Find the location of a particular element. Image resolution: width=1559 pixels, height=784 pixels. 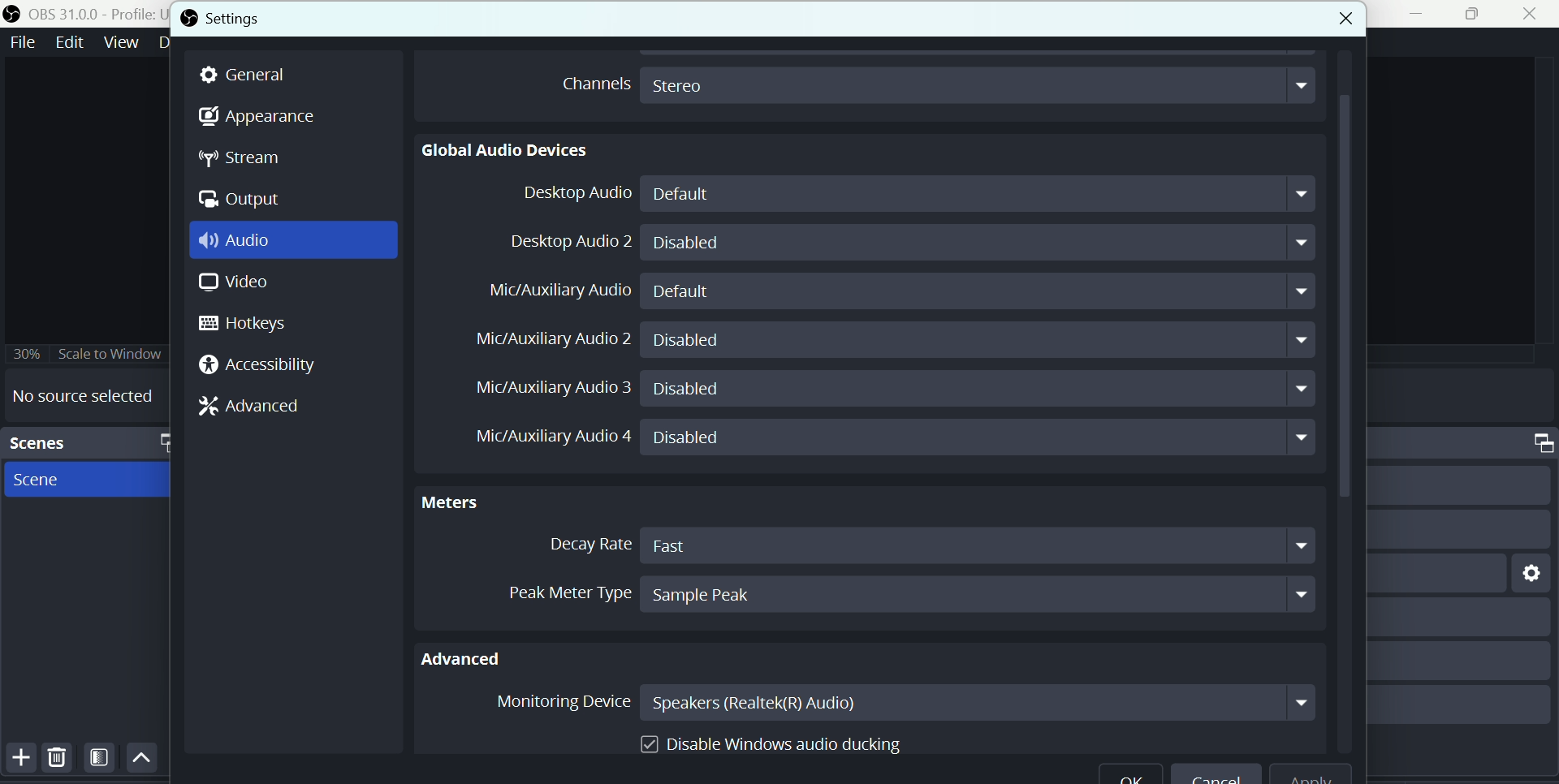

Video is located at coordinates (230, 285).